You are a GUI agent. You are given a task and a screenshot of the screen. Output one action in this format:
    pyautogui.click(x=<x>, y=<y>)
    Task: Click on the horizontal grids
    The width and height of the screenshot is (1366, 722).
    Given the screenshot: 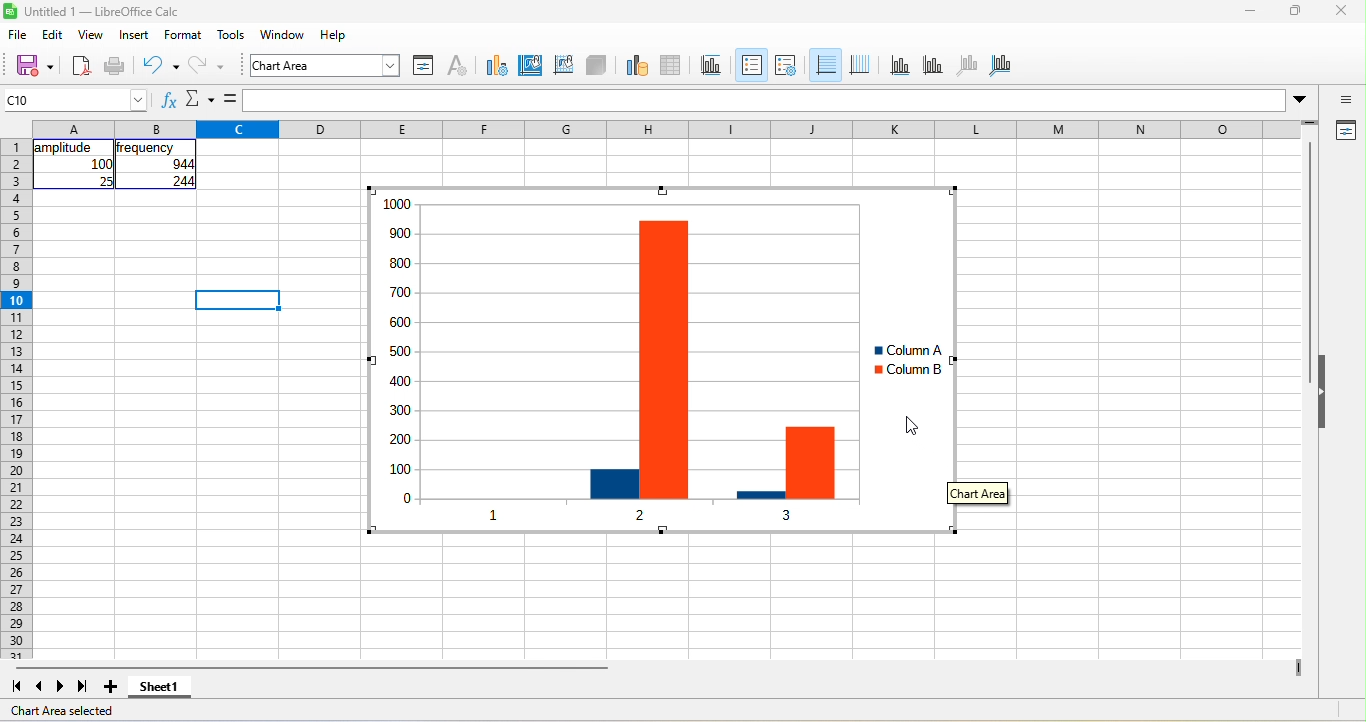 What is the action you would take?
    pyautogui.click(x=825, y=65)
    